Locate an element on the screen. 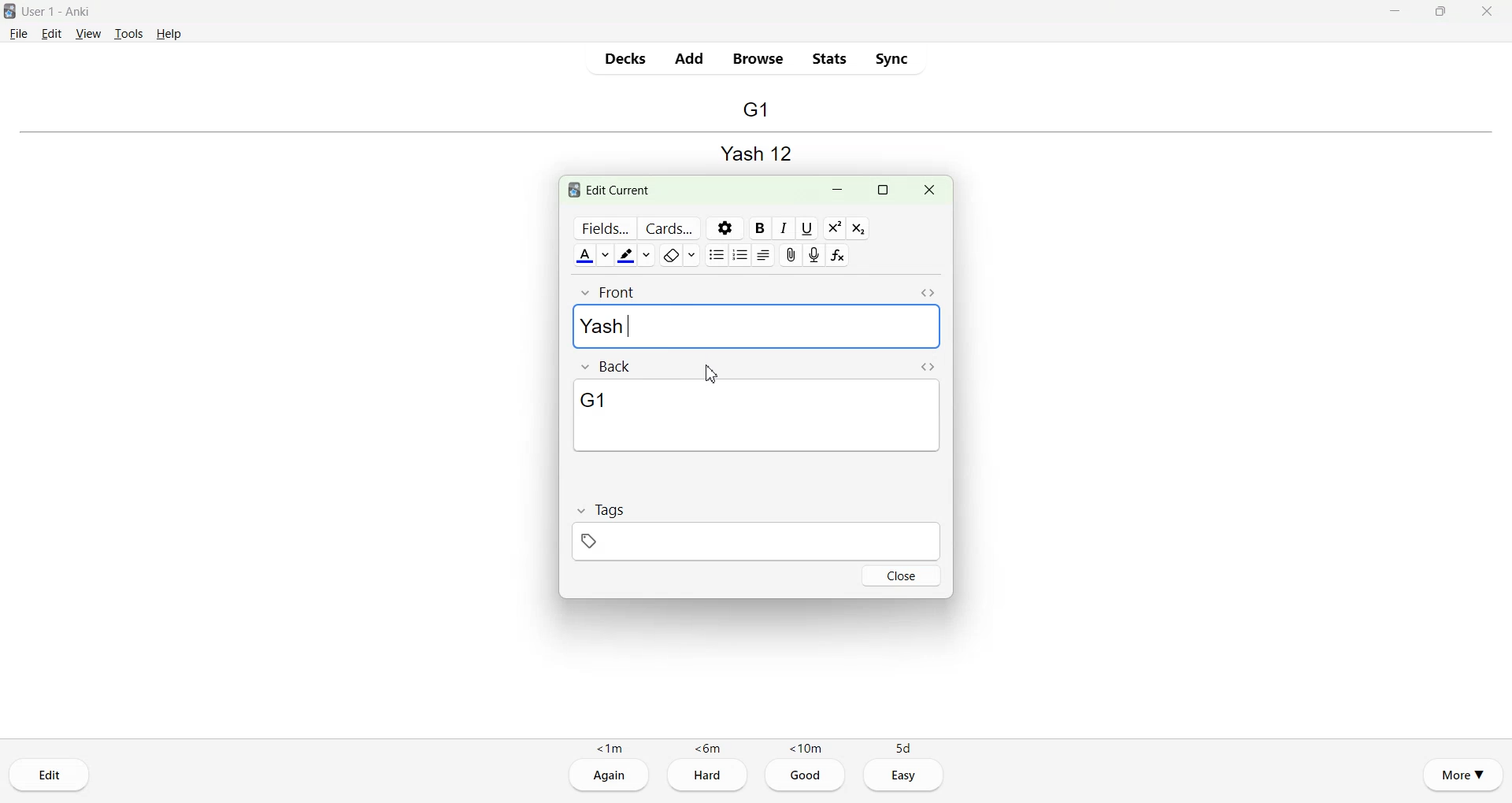 The width and height of the screenshot is (1512, 803). Add is located at coordinates (688, 58).